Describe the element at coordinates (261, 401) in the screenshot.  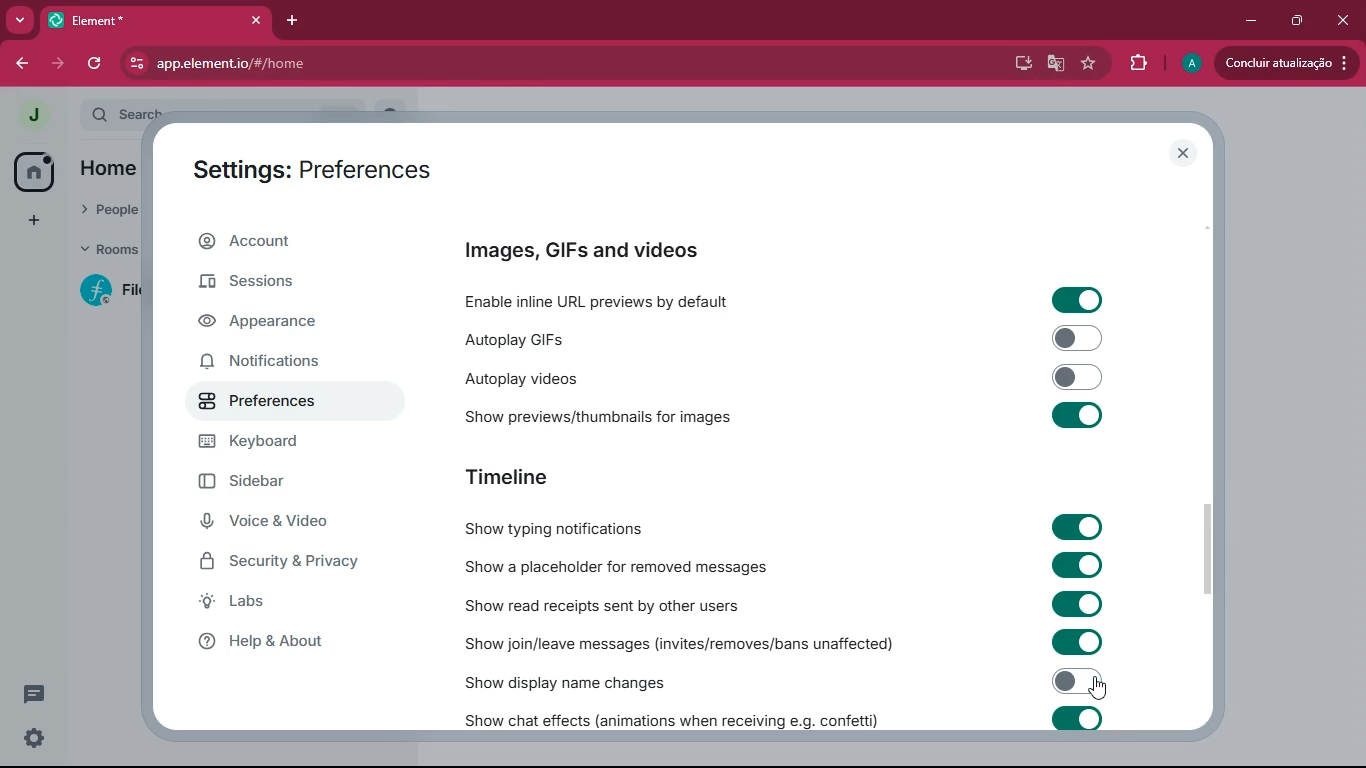
I see `preferences` at that location.